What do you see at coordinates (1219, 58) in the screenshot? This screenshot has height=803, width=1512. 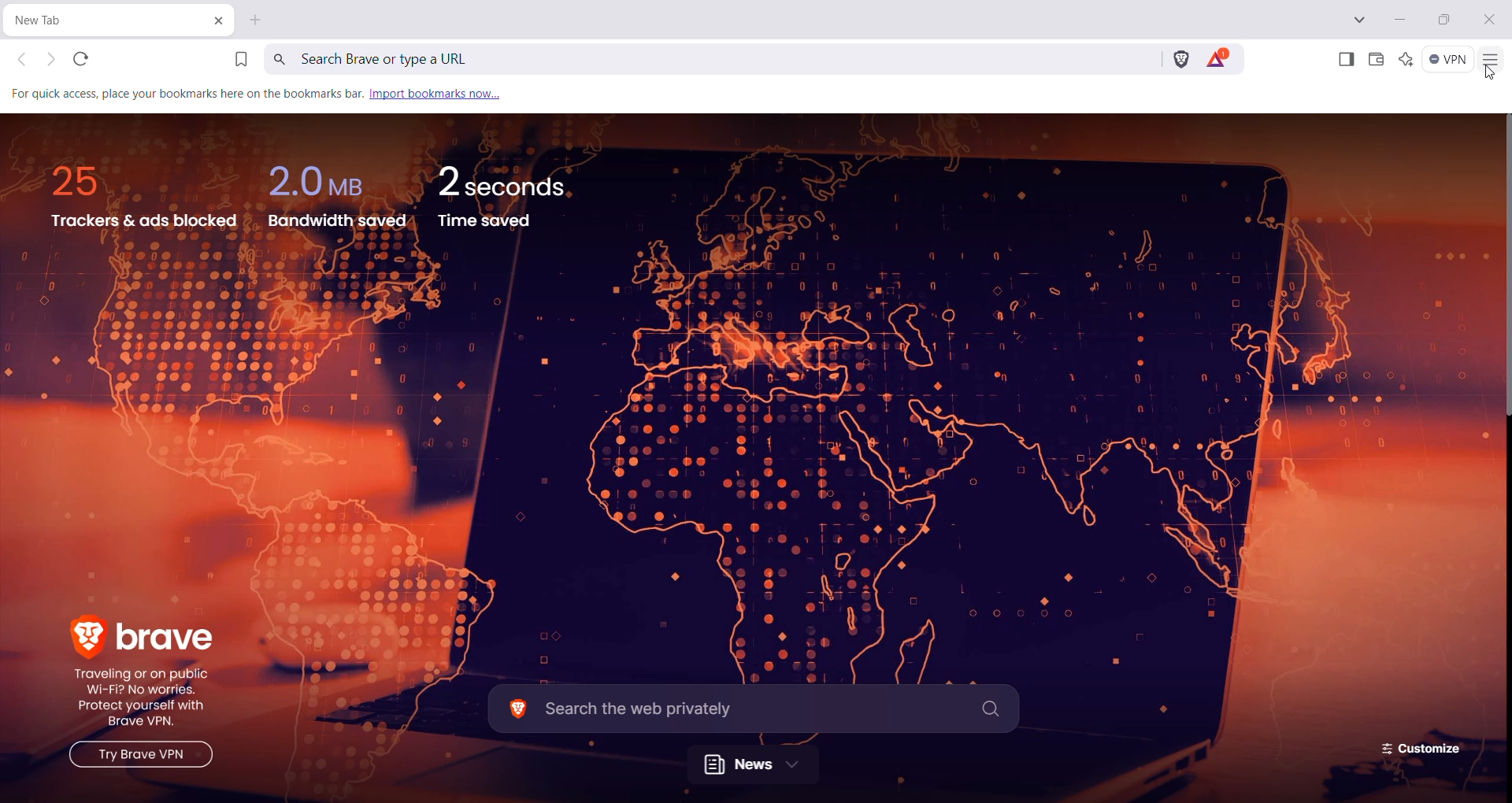 I see `Earn tokens for private Ads you see in Brave` at bounding box center [1219, 58].